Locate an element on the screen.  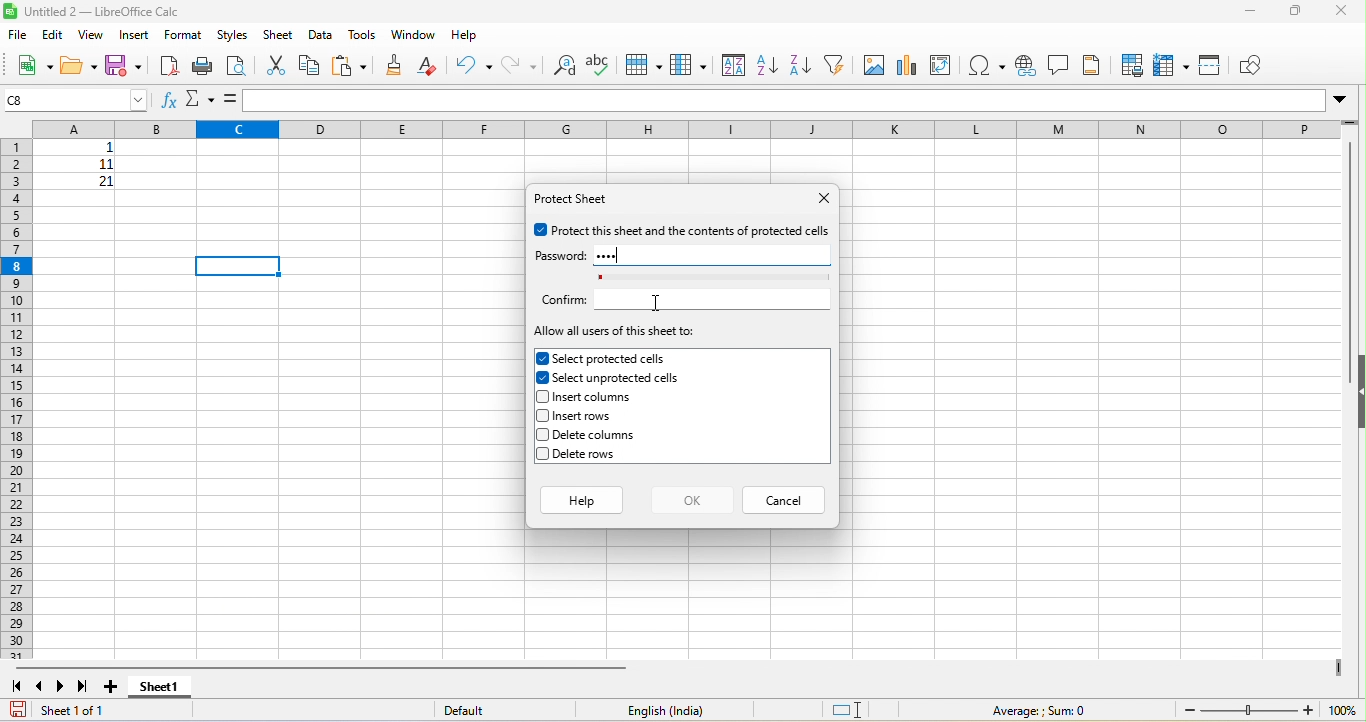
sort ascending is located at coordinates (766, 65).